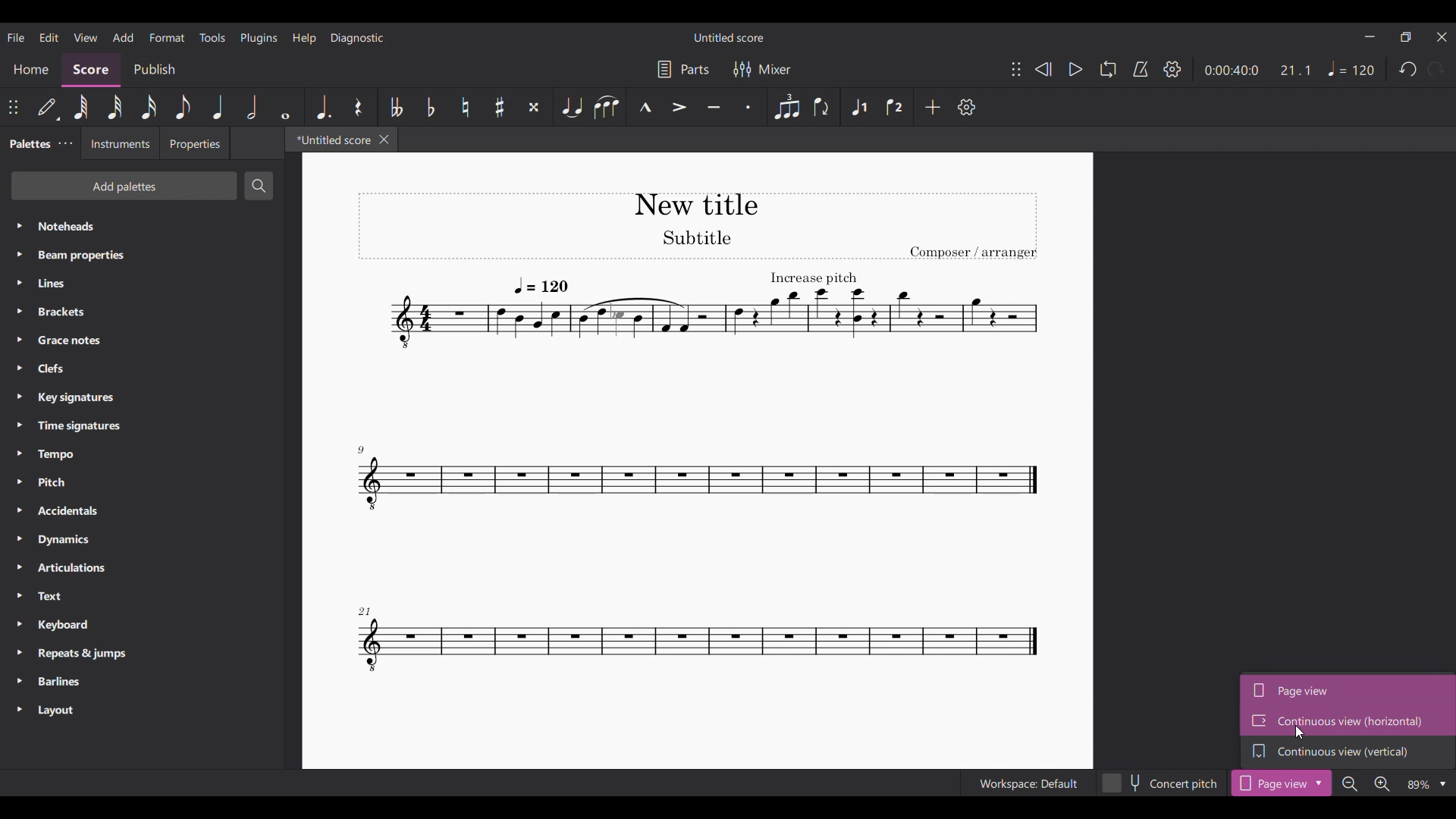  I want to click on Layout, so click(142, 711).